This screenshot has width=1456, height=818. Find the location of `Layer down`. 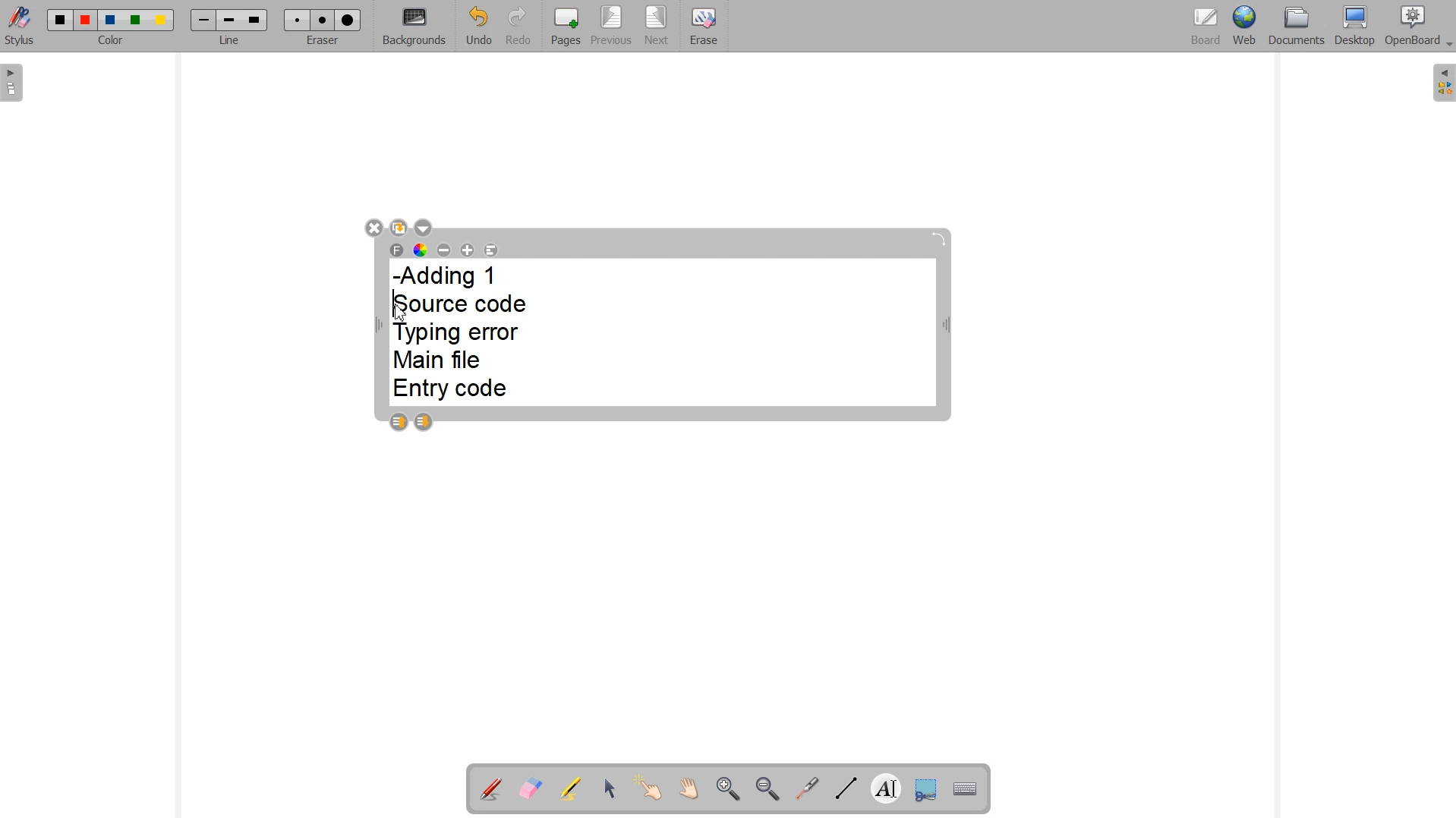

Layer down is located at coordinates (424, 422).